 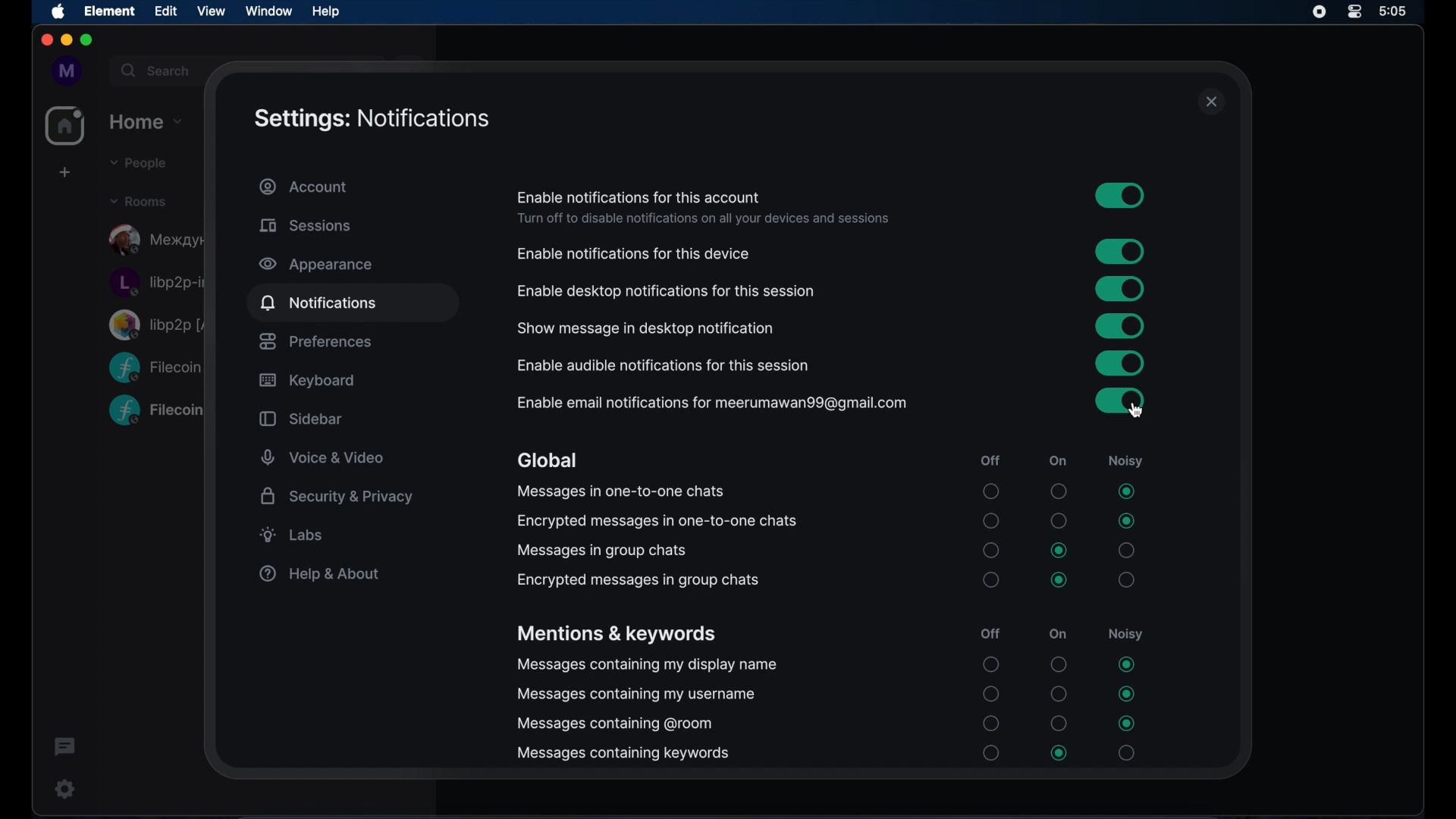 What do you see at coordinates (45, 40) in the screenshot?
I see `close` at bounding box center [45, 40].